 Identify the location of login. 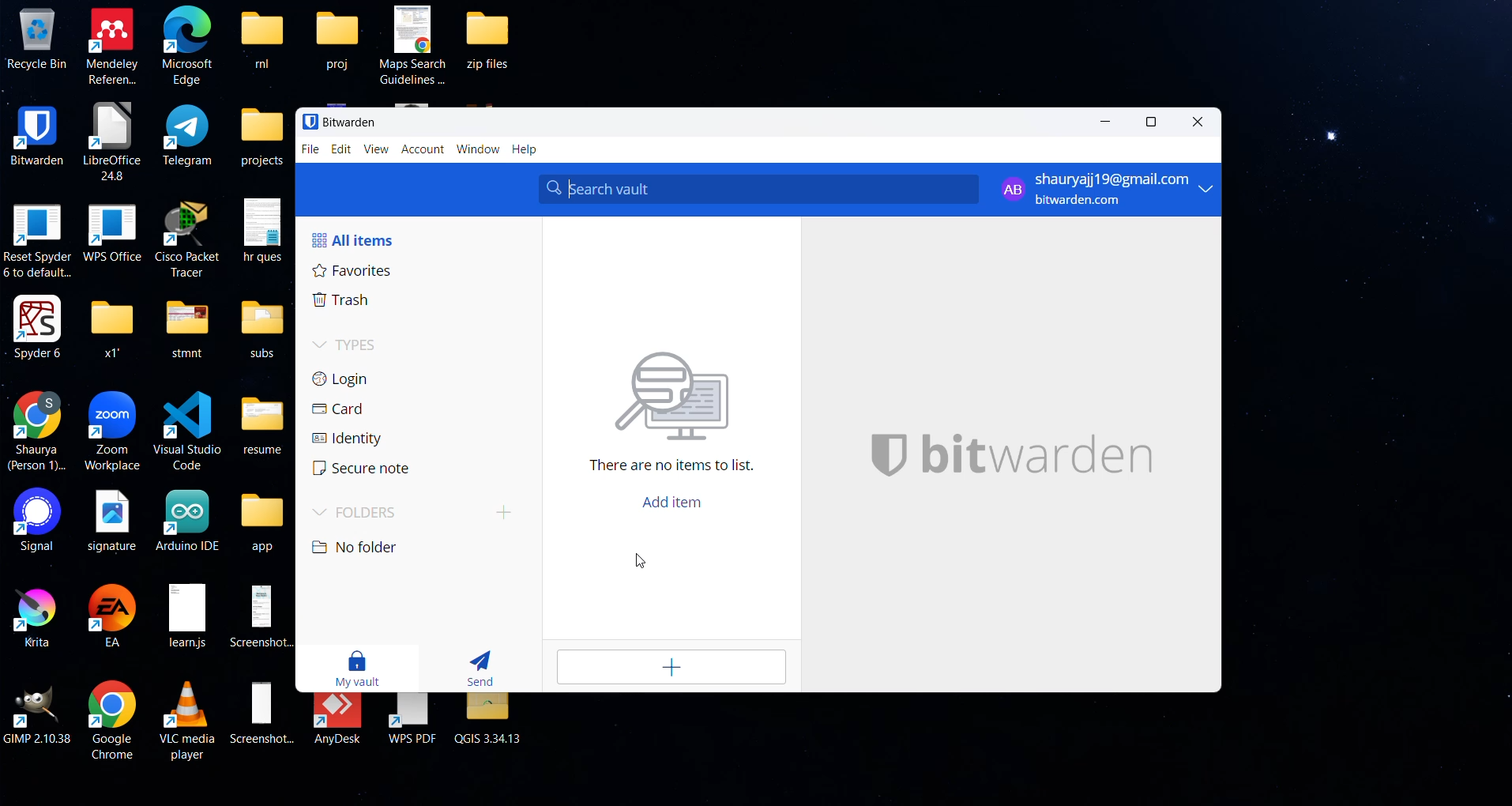
(362, 382).